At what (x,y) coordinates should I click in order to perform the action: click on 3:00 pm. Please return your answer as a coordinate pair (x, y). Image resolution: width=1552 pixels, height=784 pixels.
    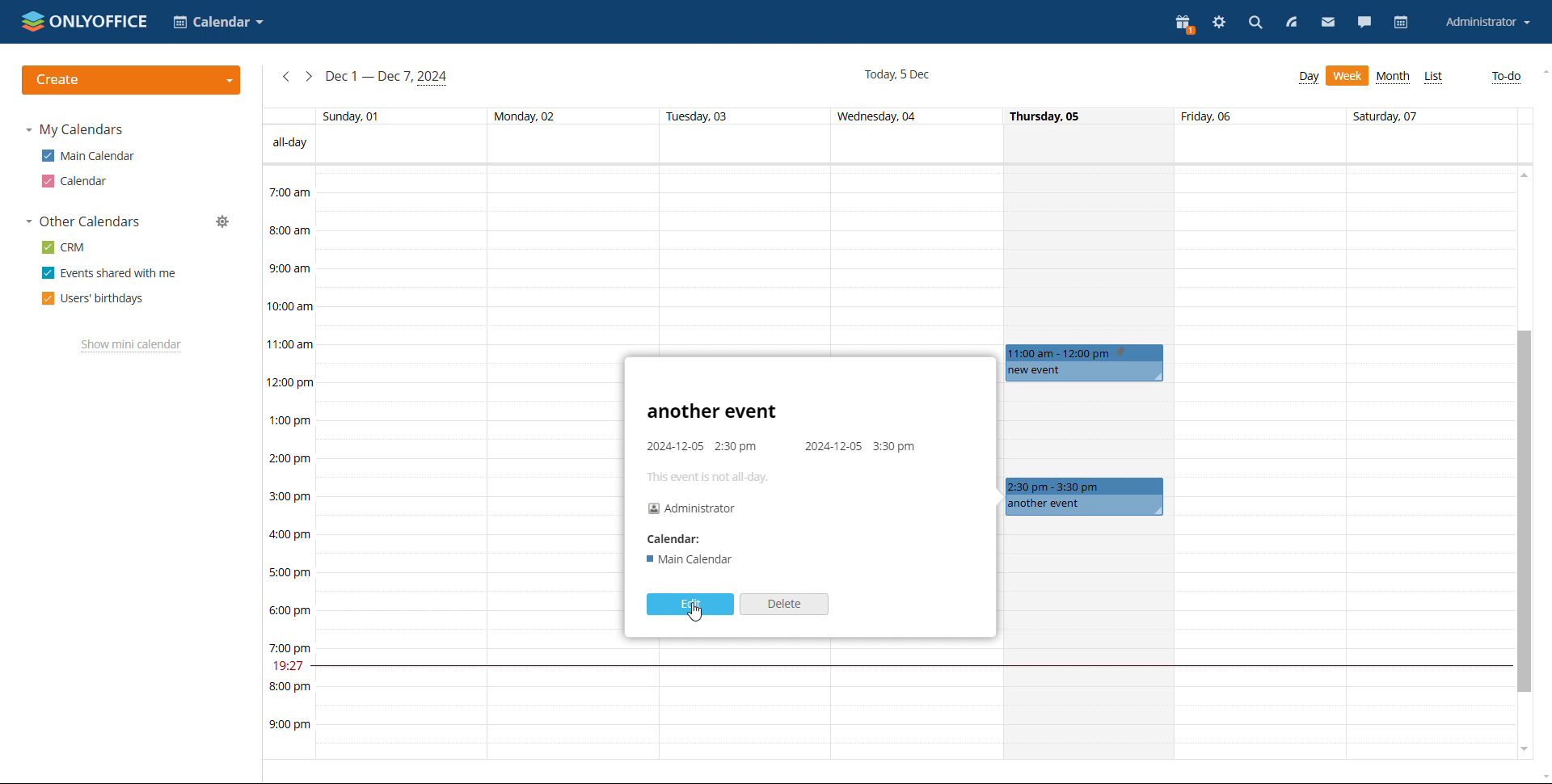
    Looking at the image, I should click on (288, 496).